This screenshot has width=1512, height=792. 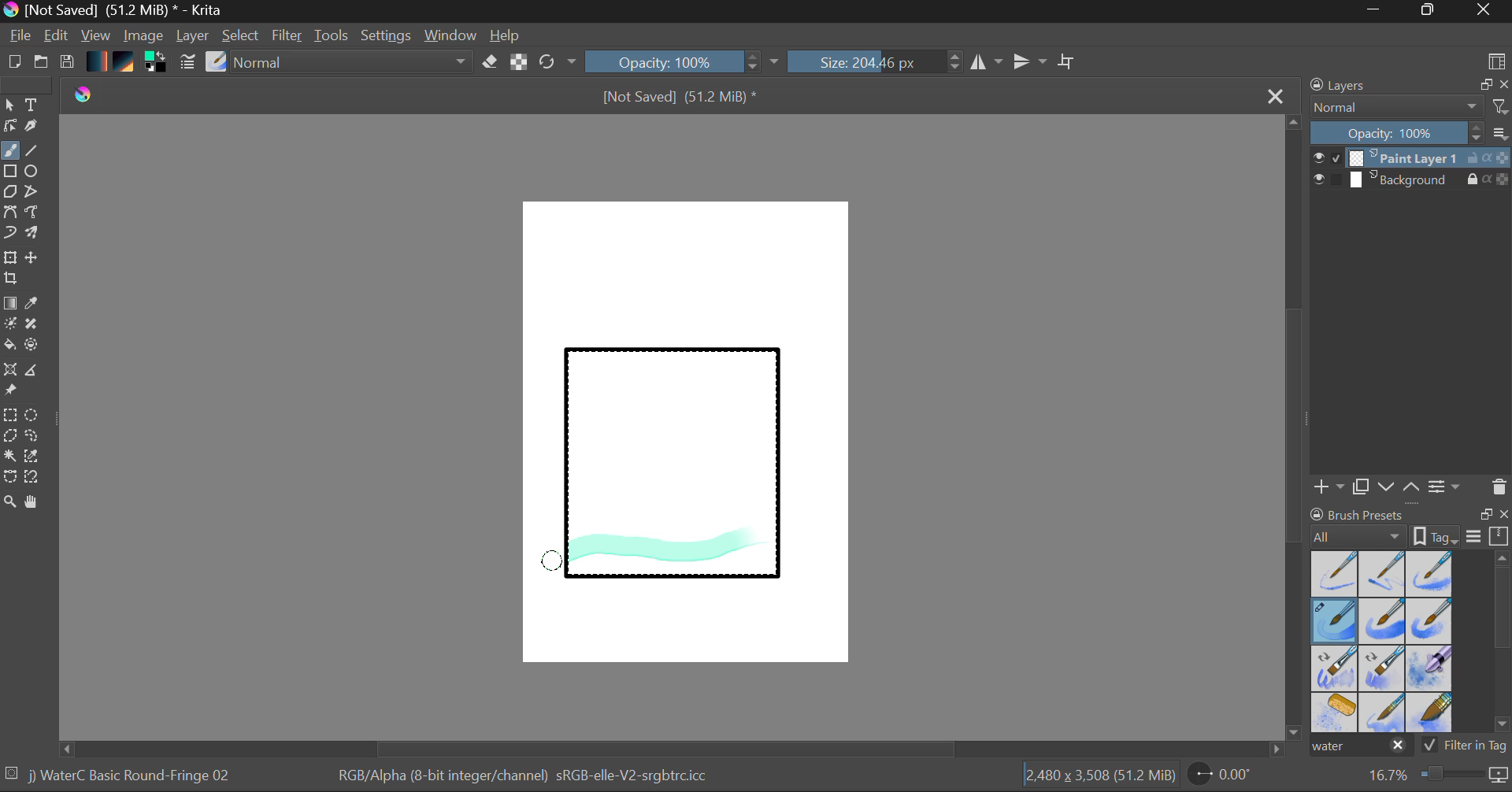 What do you see at coordinates (13, 64) in the screenshot?
I see `New` at bounding box center [13, 64].